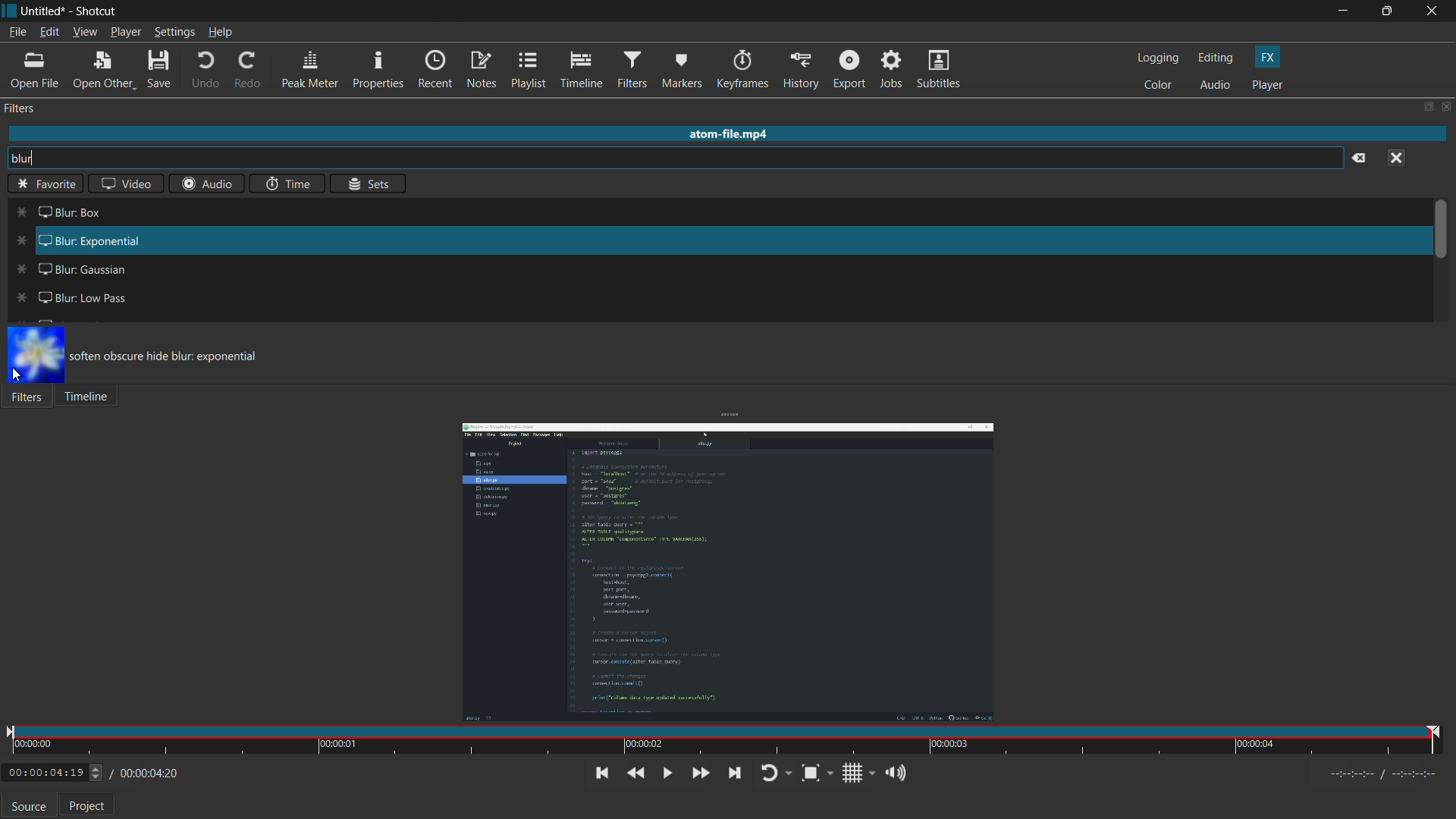 The width and height of the screenshot is (1456, 819). I want to click on file menu, so click(17, 34).